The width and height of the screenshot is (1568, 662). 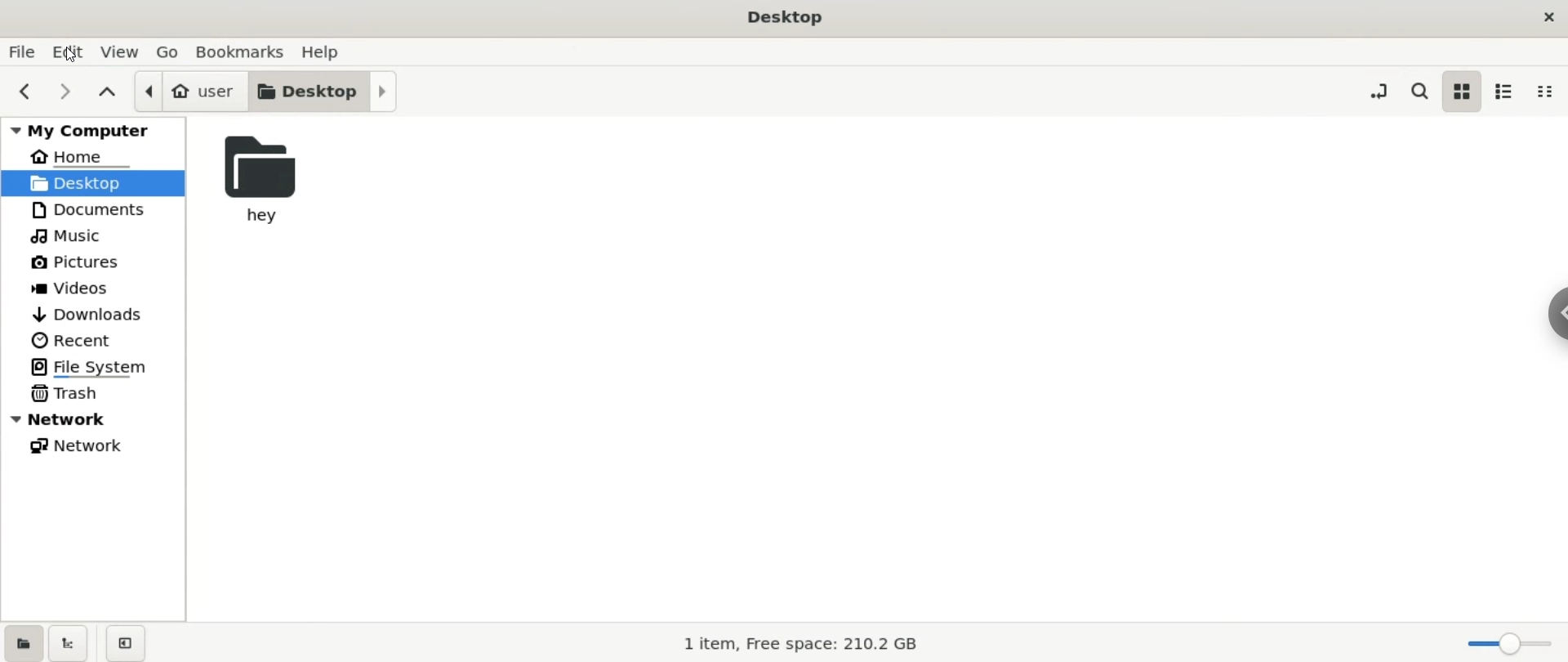 I want to click on cursor, so click(x=71, y=55).